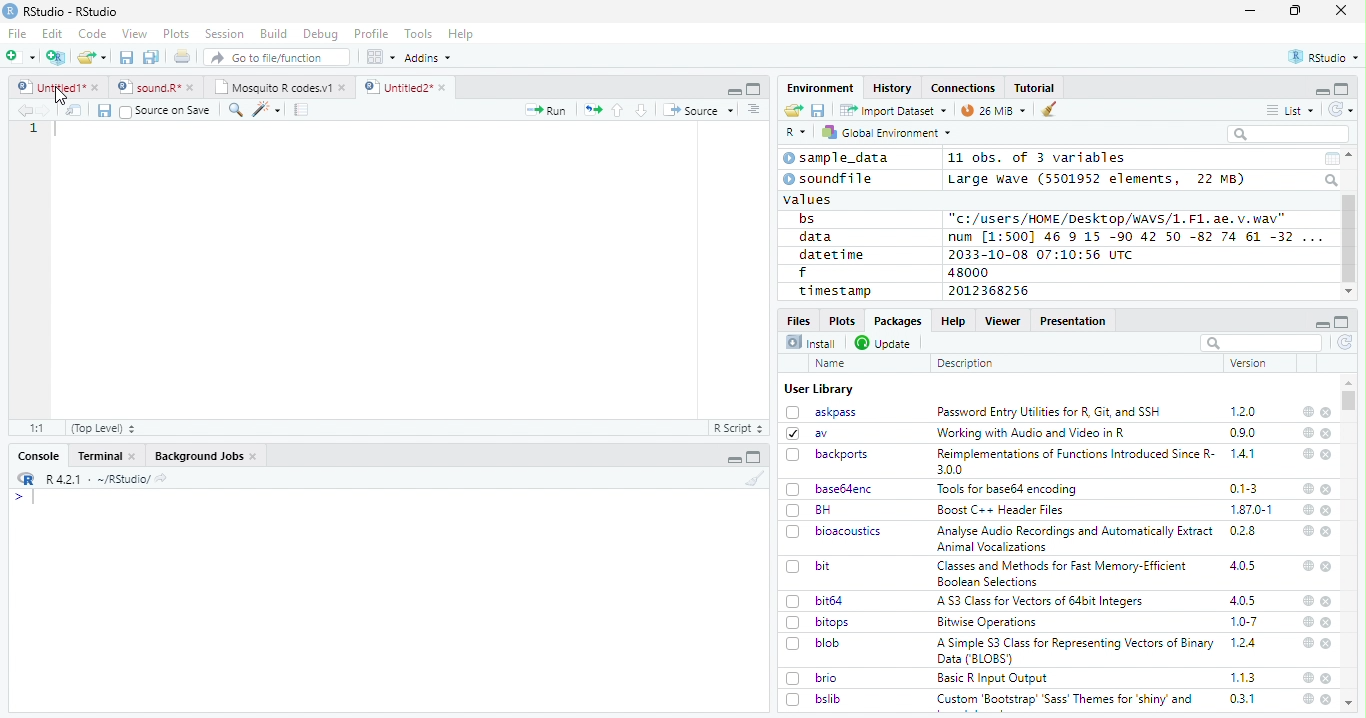  What do you see at coordinates (1328, 510) in the screenshot?
I see `close` at bounding box center [1328, 510].